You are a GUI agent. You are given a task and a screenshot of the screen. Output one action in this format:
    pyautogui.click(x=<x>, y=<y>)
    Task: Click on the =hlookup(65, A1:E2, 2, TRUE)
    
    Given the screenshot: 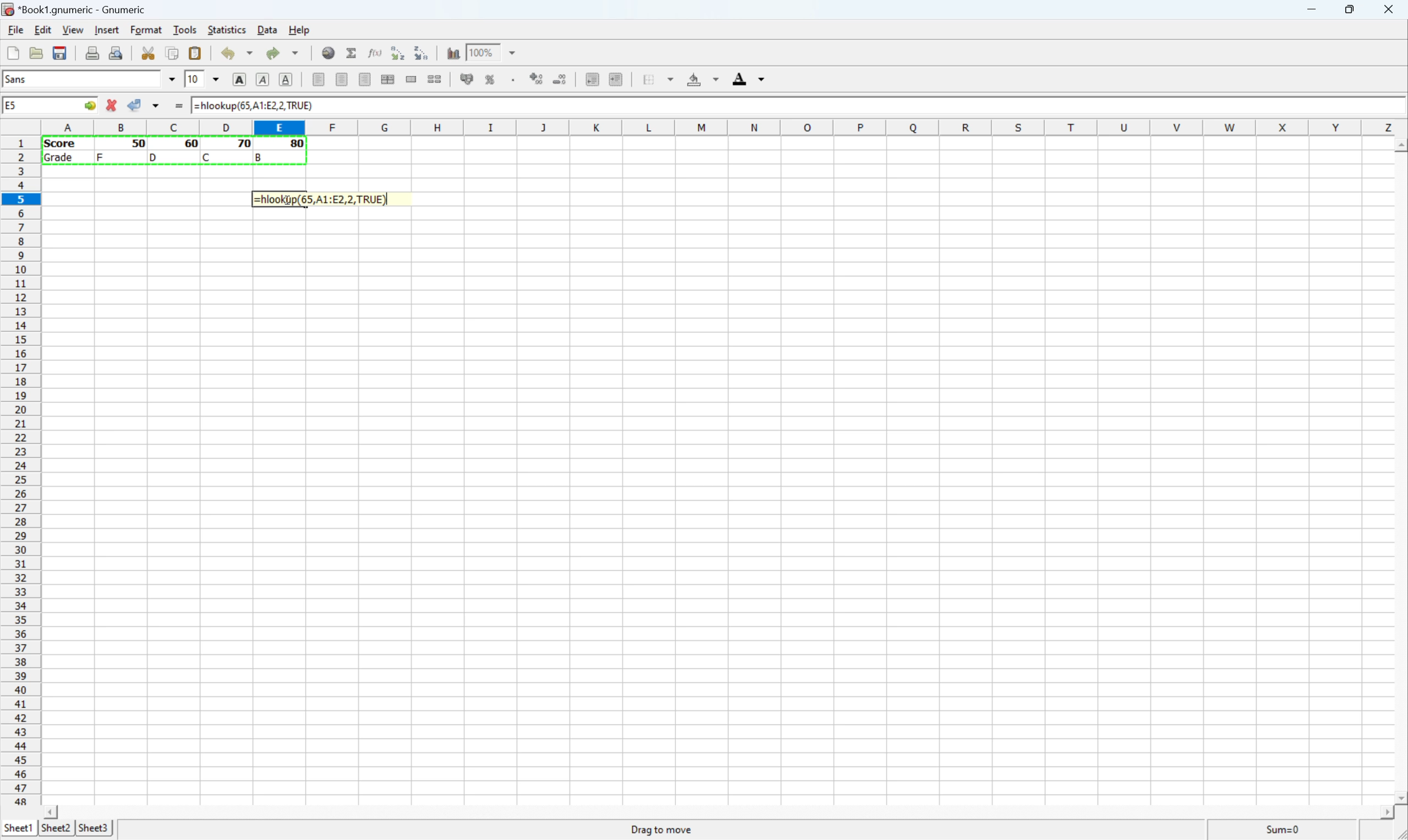 What is the action you would take?
    pyautogui.click(x=320, y=199)
    